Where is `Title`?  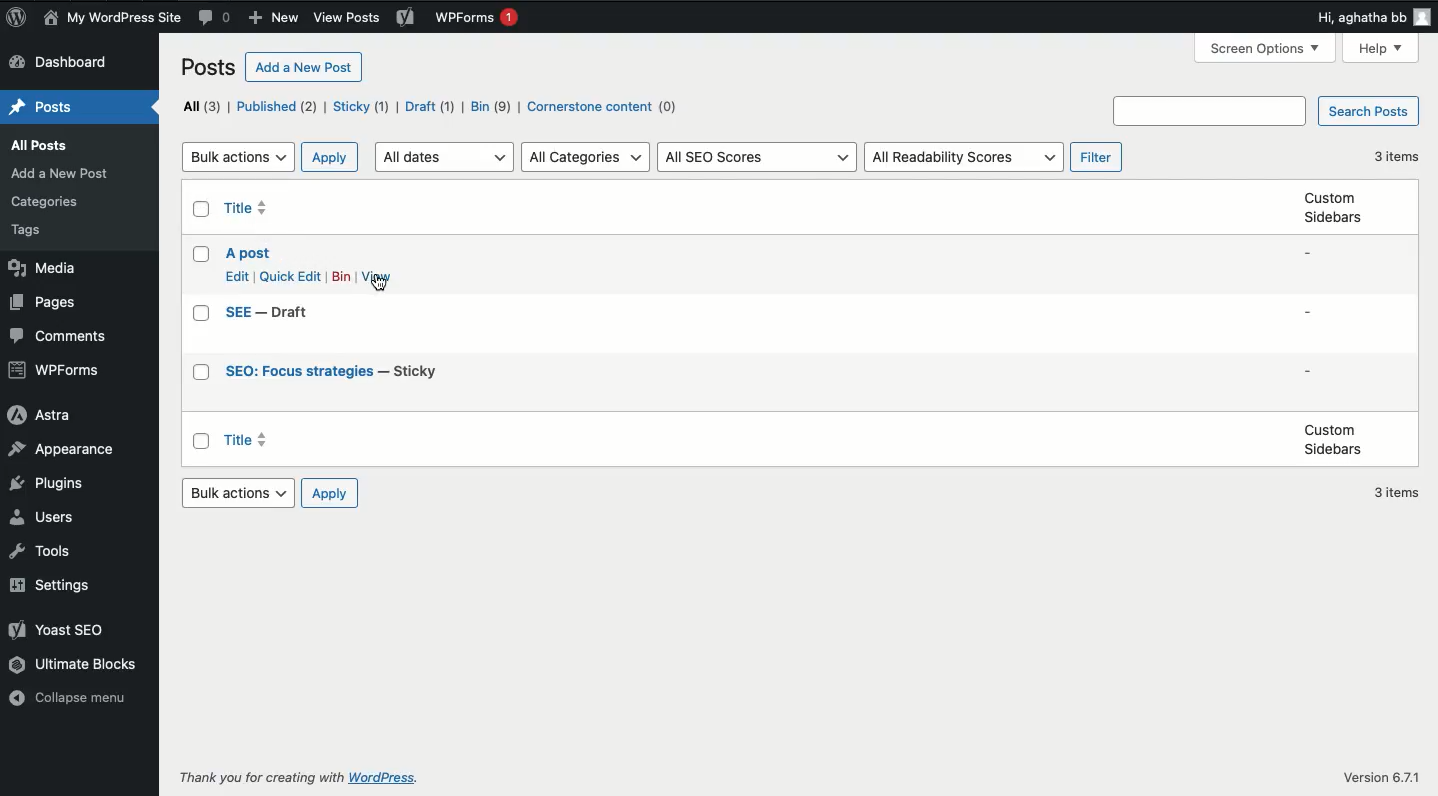
Title is located at coordinates (332, 375).